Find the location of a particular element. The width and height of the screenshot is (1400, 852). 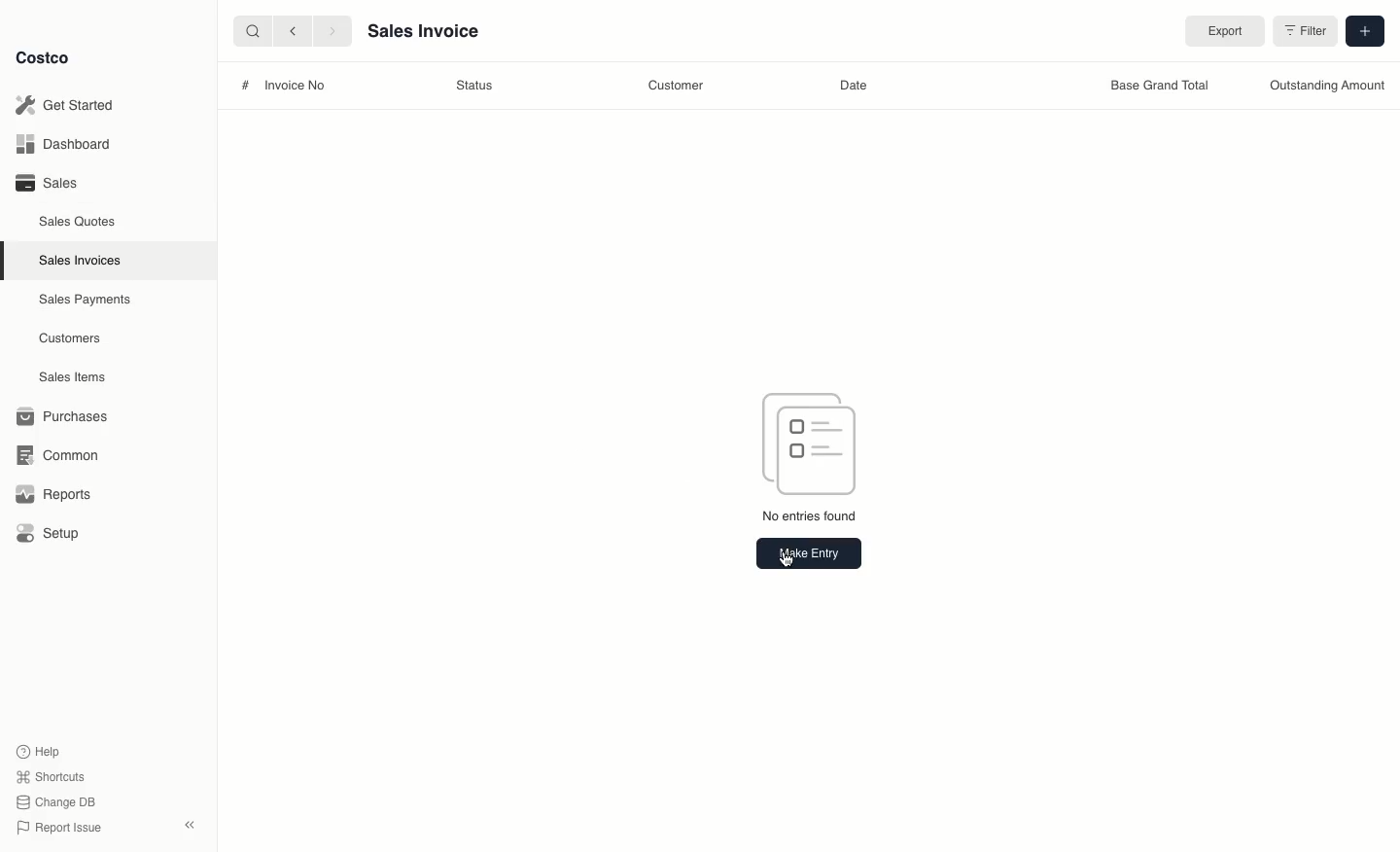

forward is located at coordinates (330, 30).